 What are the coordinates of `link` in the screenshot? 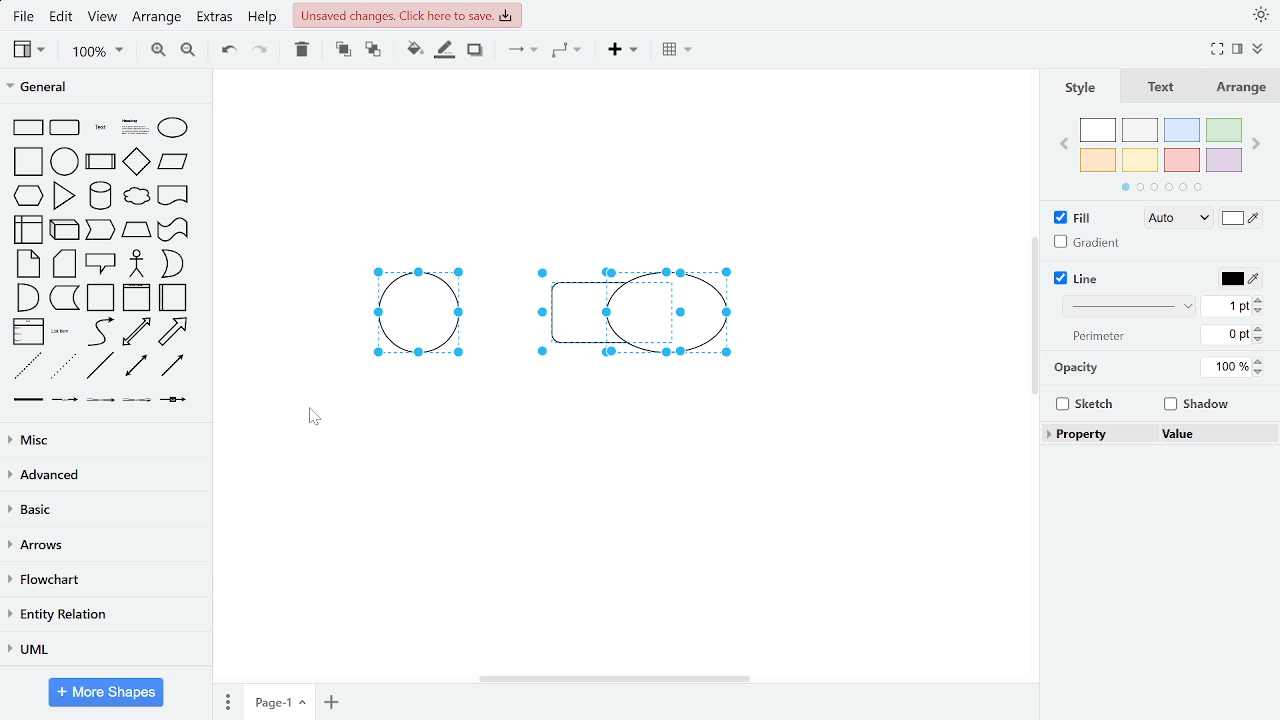 It's located at (29, 403).